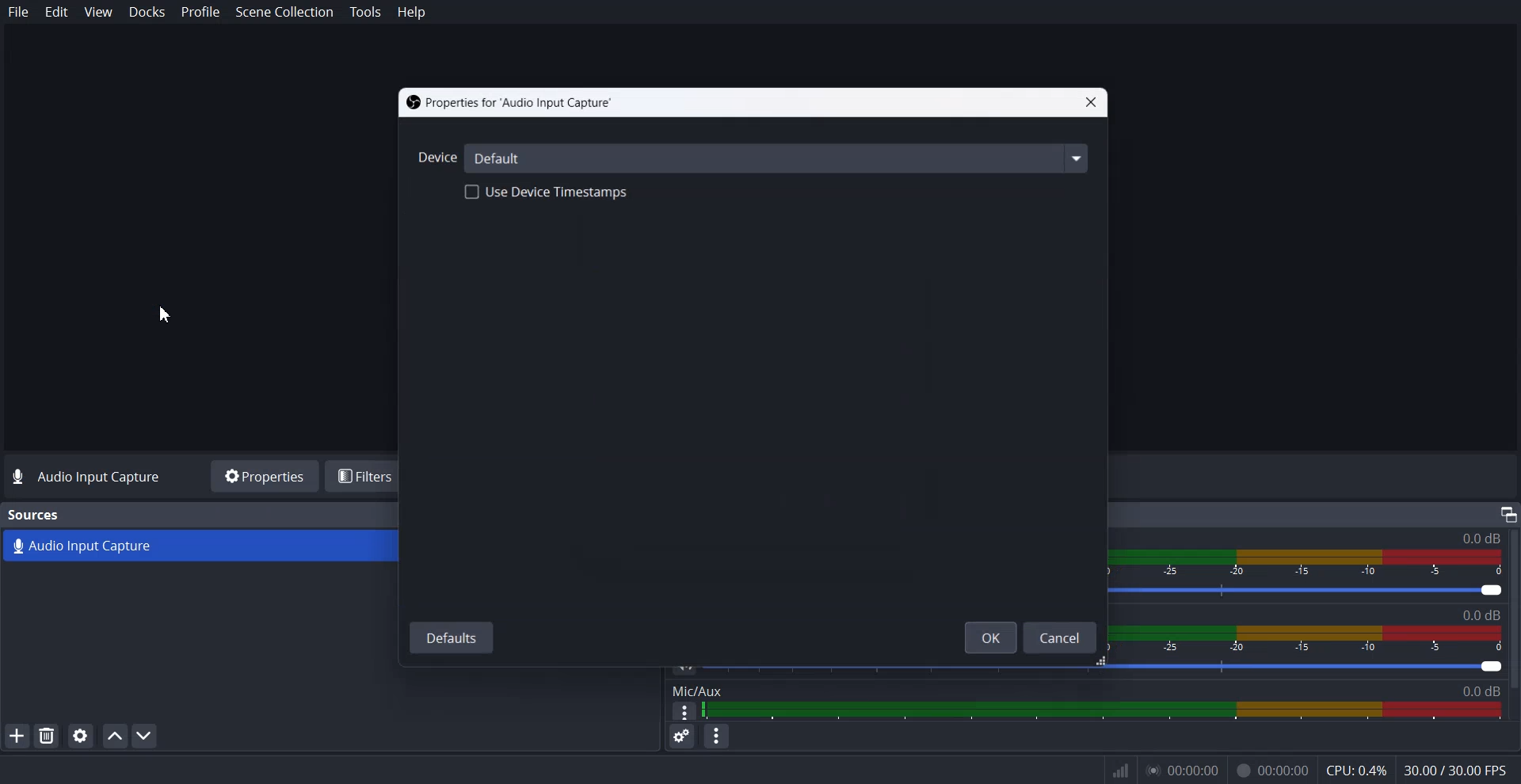 Image resolution: width=1521 pixels, height=784 pixels. What do you see at coordinates (57, 12) in the screenshot?
I see `Edit` at bounding box center [57, 12].